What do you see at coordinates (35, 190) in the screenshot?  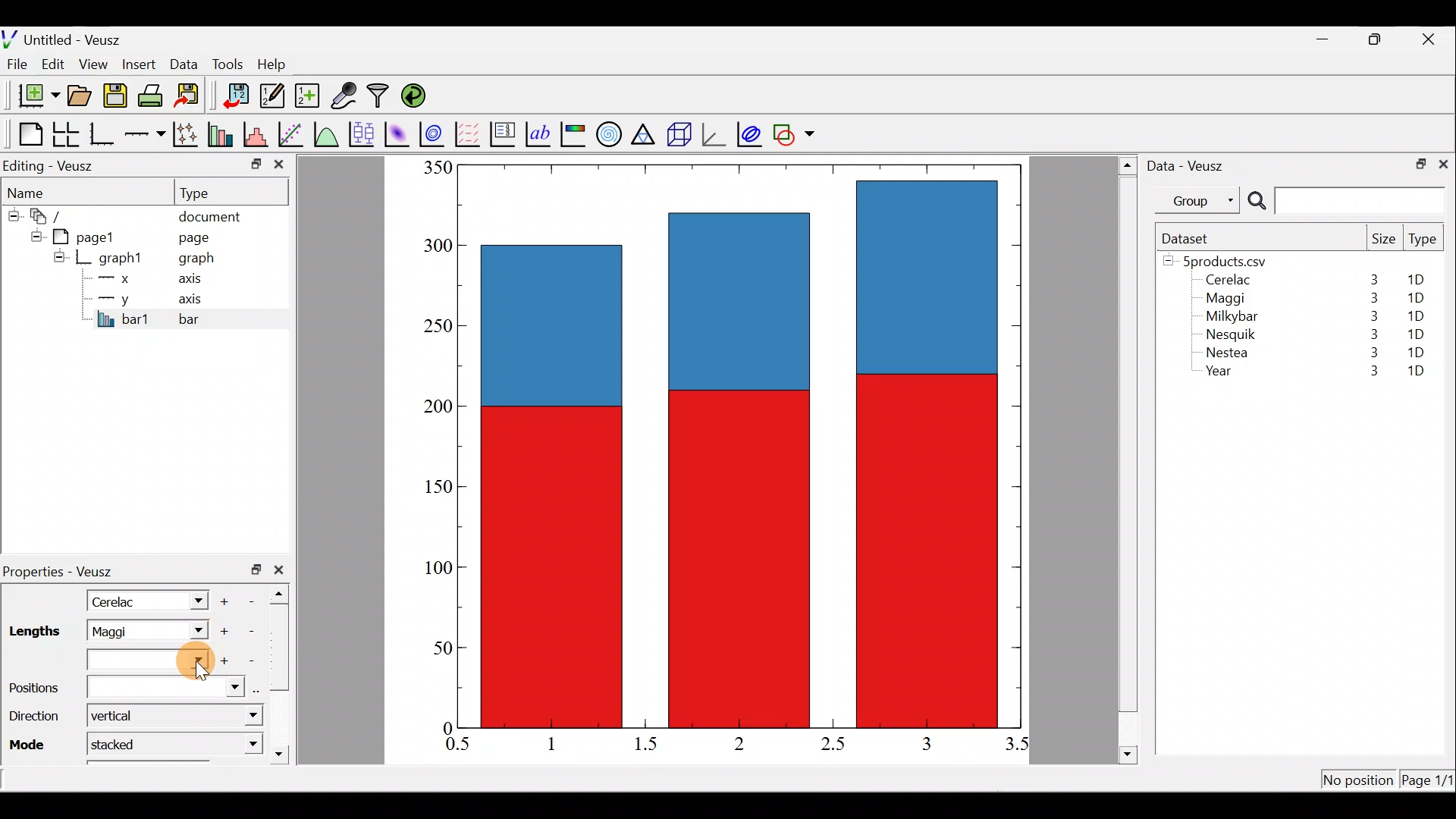 I see `Name` at bounding box center [35, 190].